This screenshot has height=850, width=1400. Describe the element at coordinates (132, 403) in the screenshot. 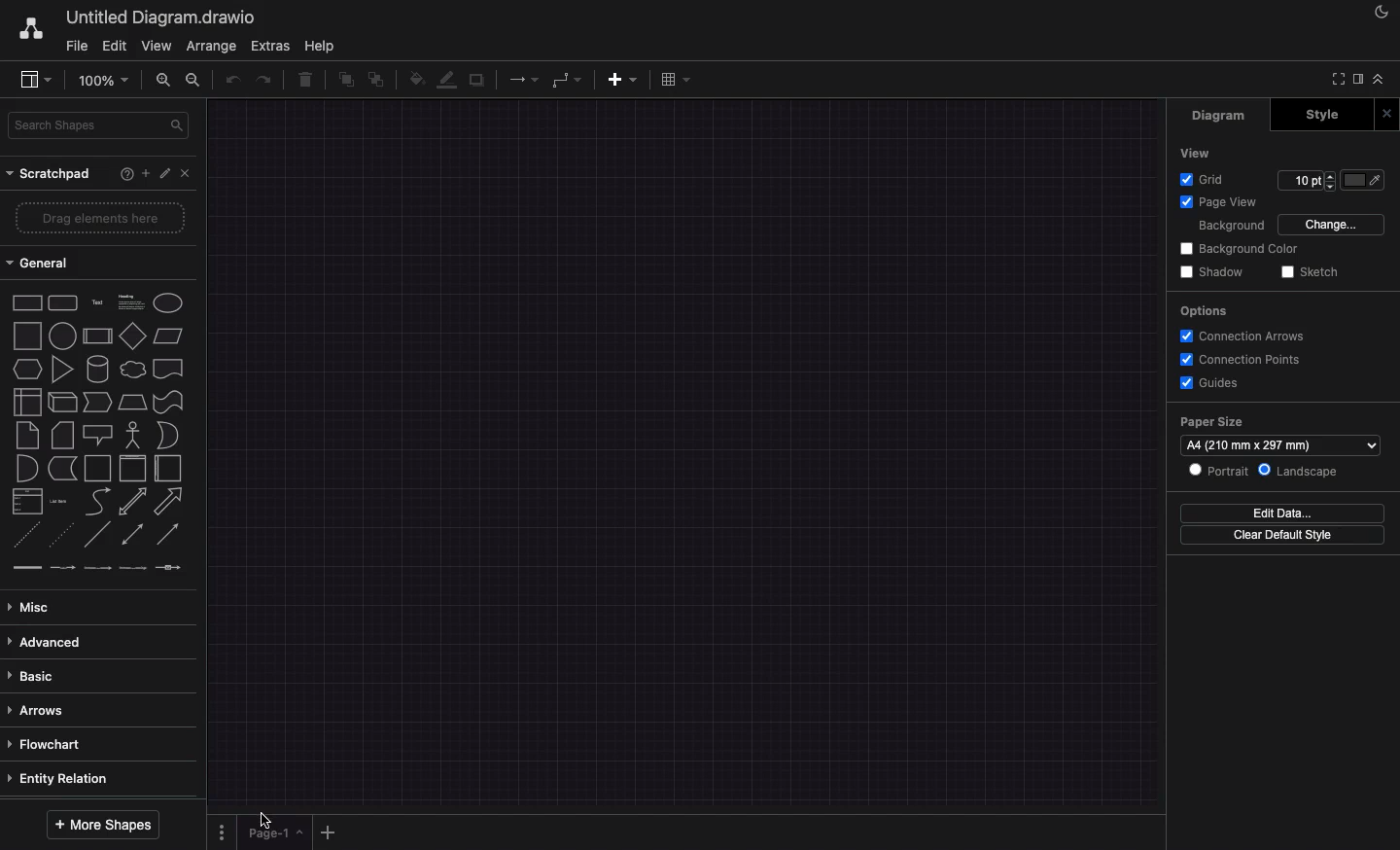

I see `trapezoid` at that location.